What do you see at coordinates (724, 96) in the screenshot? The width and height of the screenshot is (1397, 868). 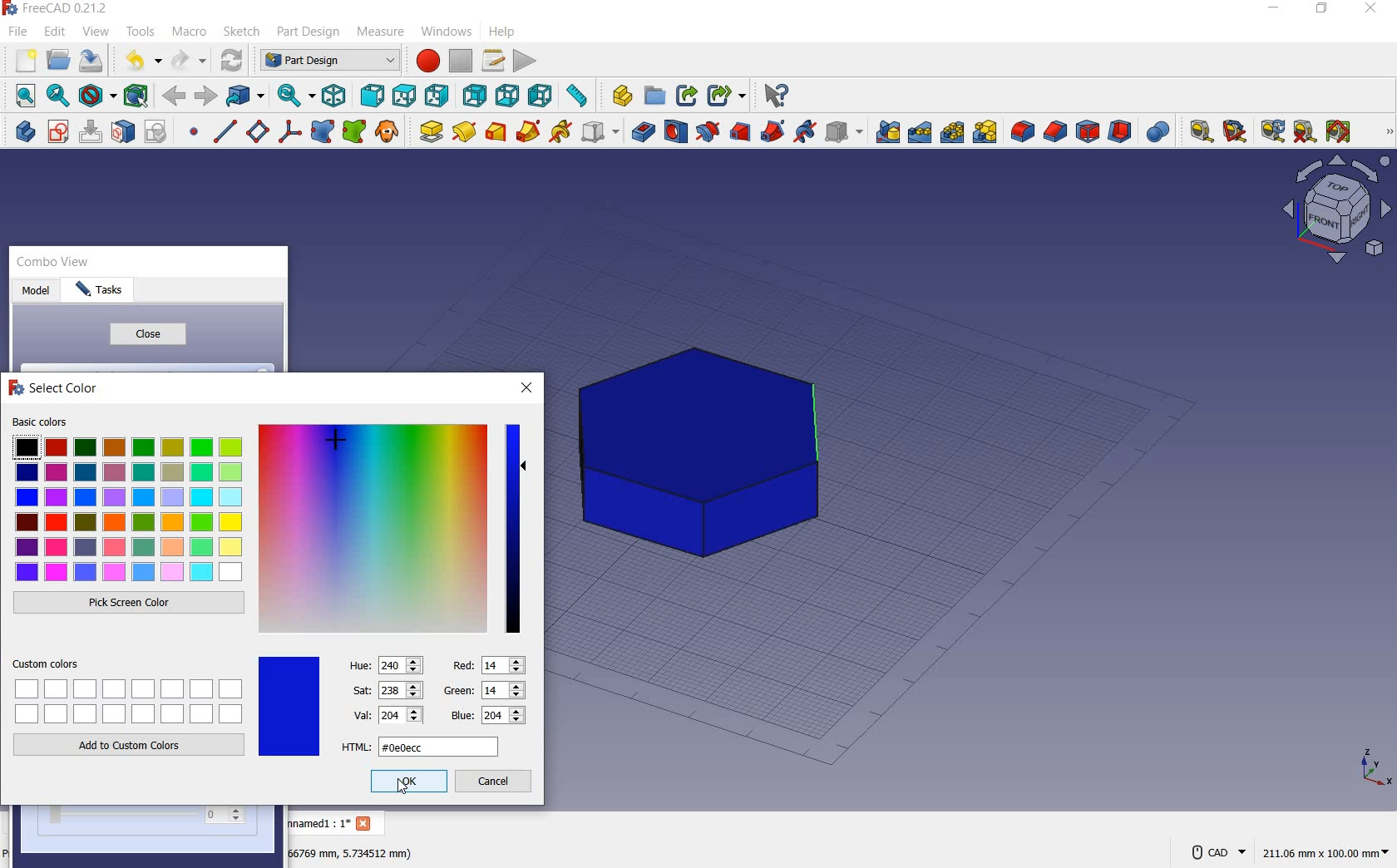 I see `make sub-link` at bounding box center [724, 96].